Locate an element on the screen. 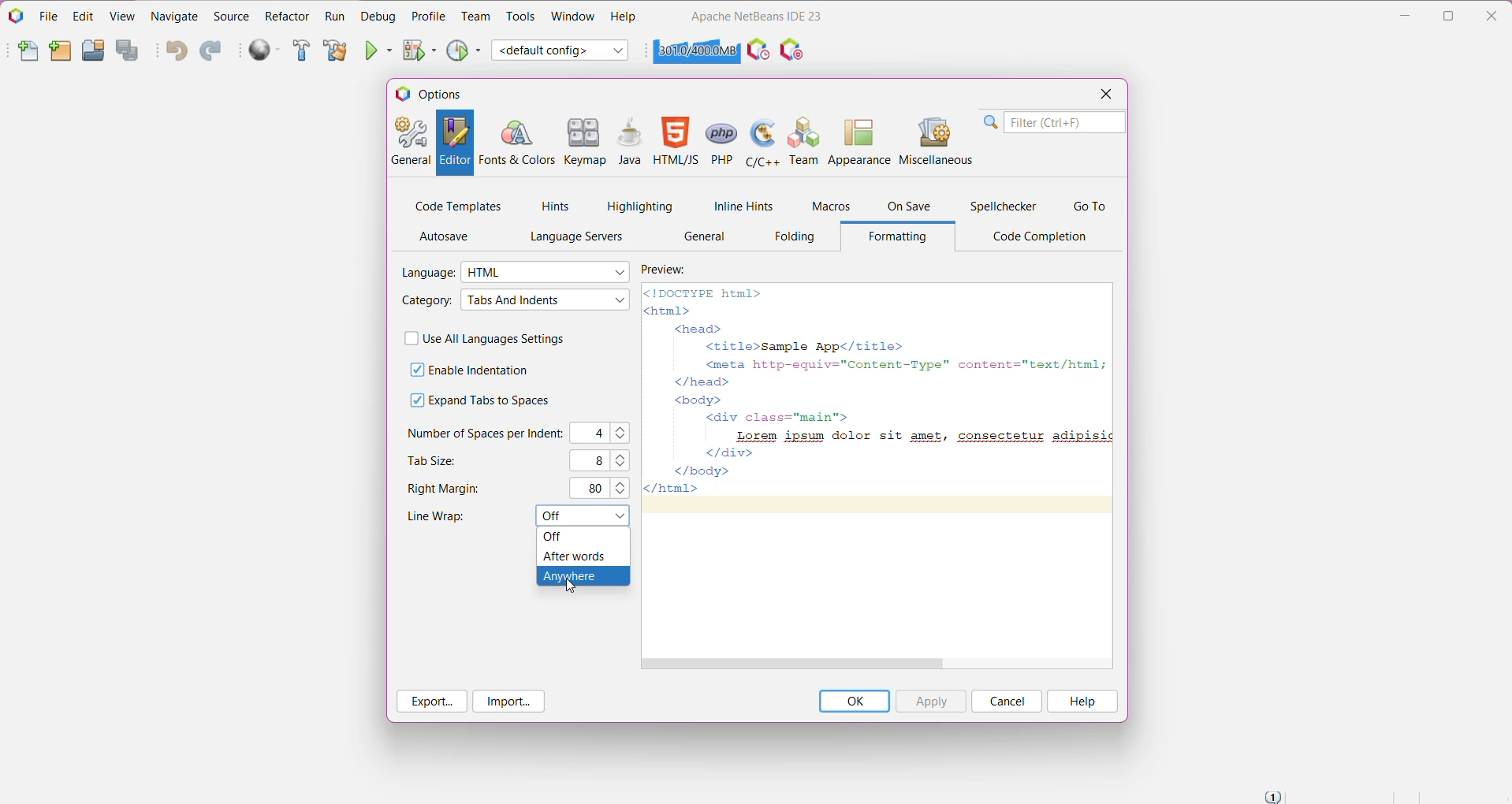 The image size is (1512, 804). Navigate is located at coordinates (177, 15).